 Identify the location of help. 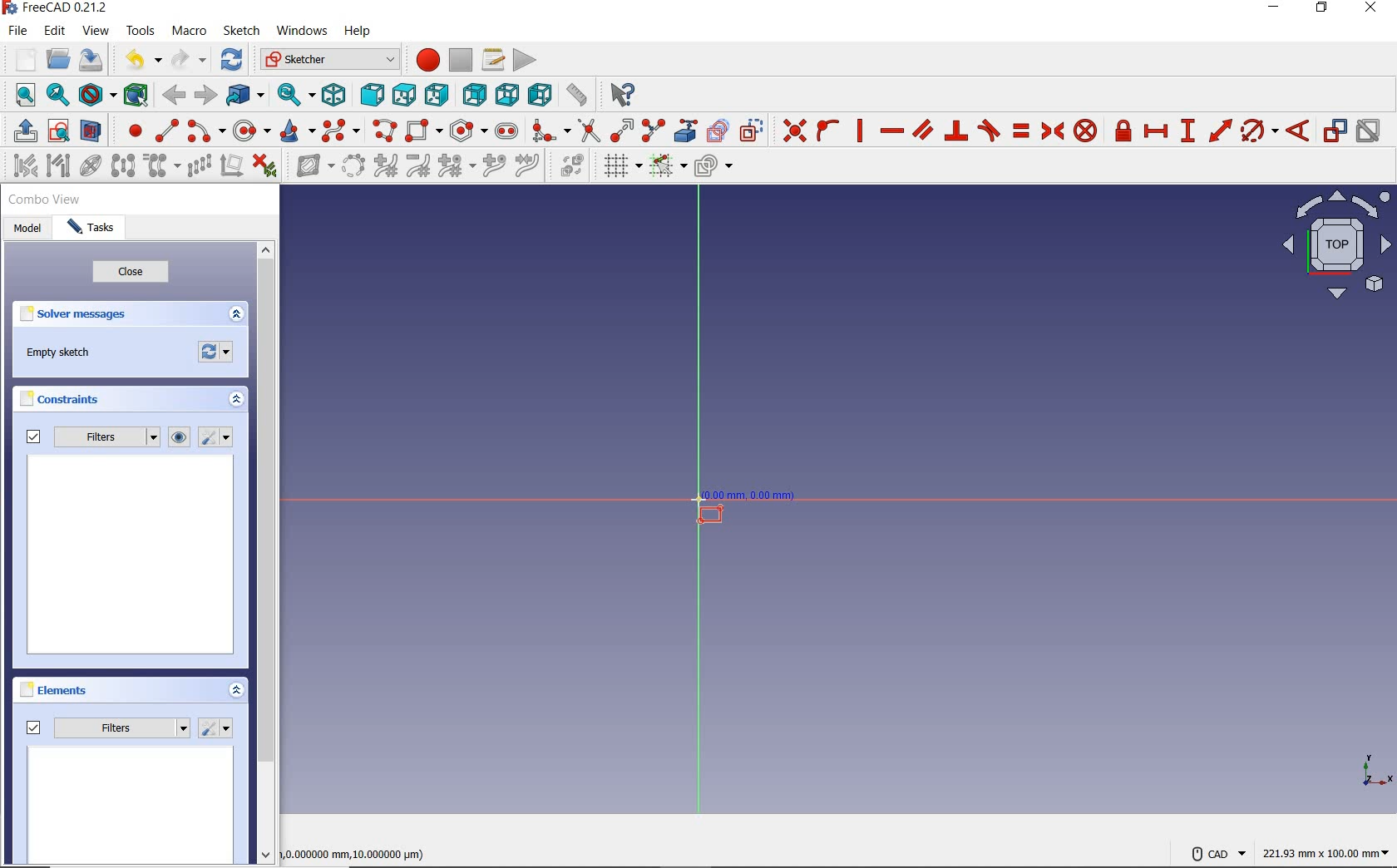
(360, 33).